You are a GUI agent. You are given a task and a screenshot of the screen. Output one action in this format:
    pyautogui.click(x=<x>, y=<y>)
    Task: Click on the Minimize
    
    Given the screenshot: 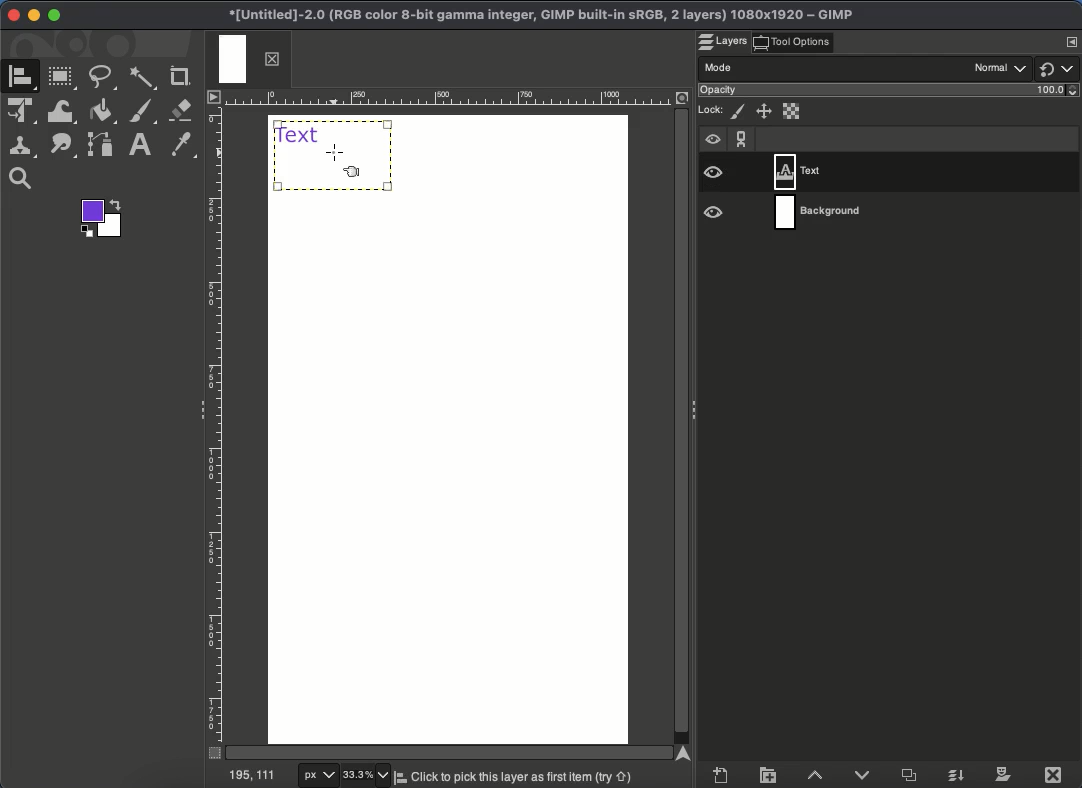 What is the action you would take?
    pyautogui.click(x=34, y=16)
    